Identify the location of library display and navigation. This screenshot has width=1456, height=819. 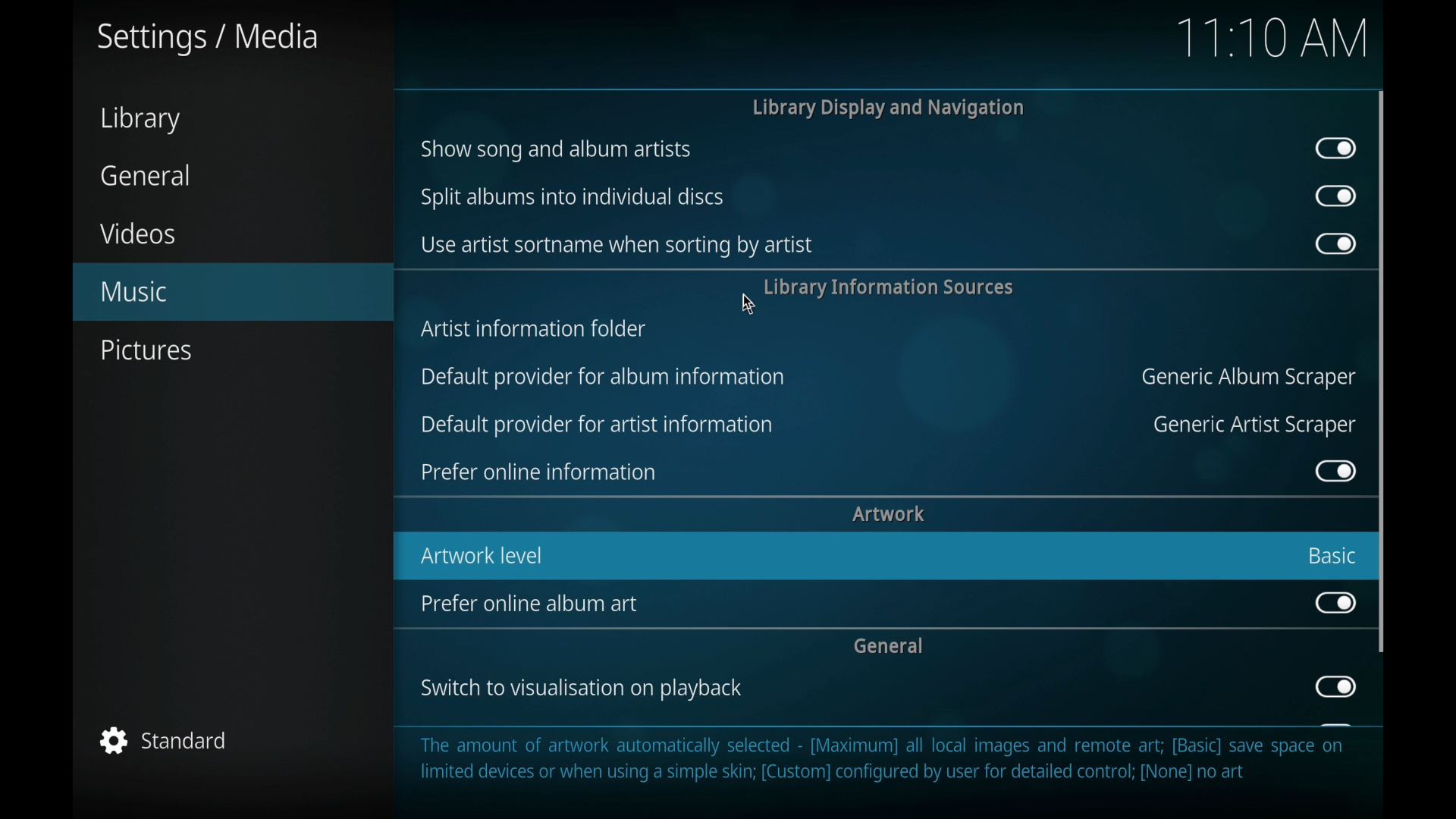
(887, 108).